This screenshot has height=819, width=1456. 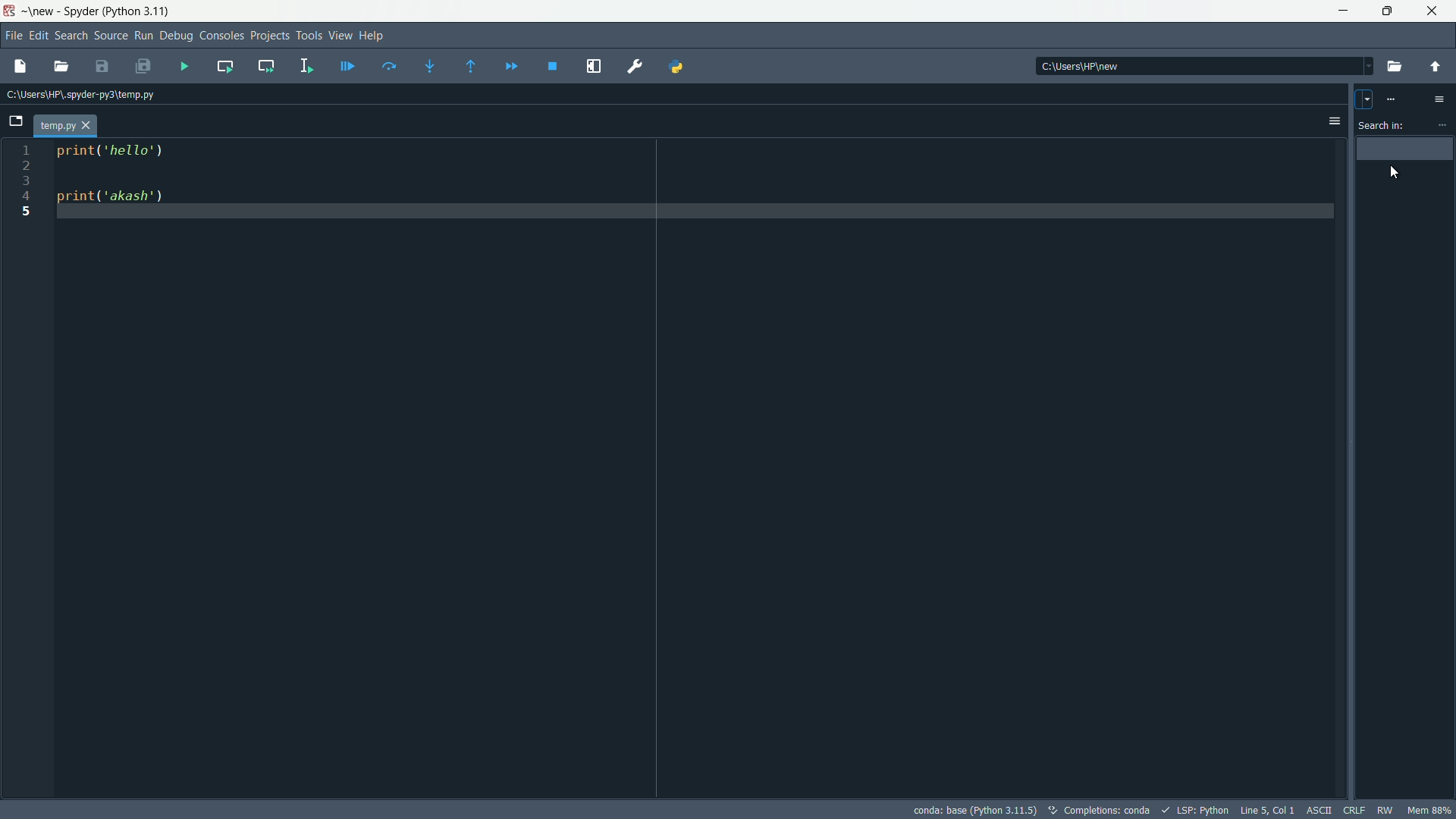 I want to click on open file, so click(x=64, y=65).